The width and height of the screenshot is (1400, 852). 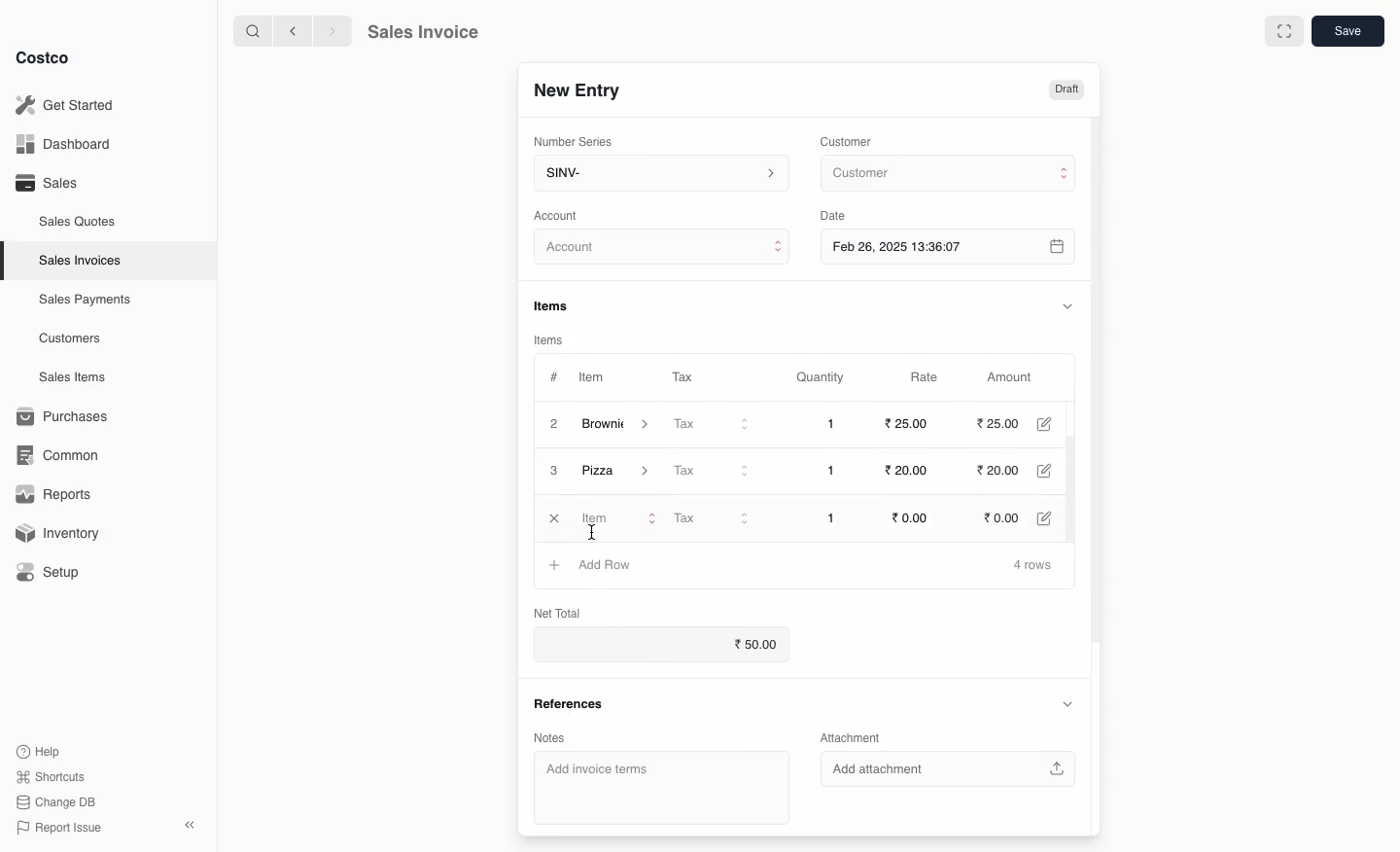 I want to click on 20.00, so click(x=1004, y=472).